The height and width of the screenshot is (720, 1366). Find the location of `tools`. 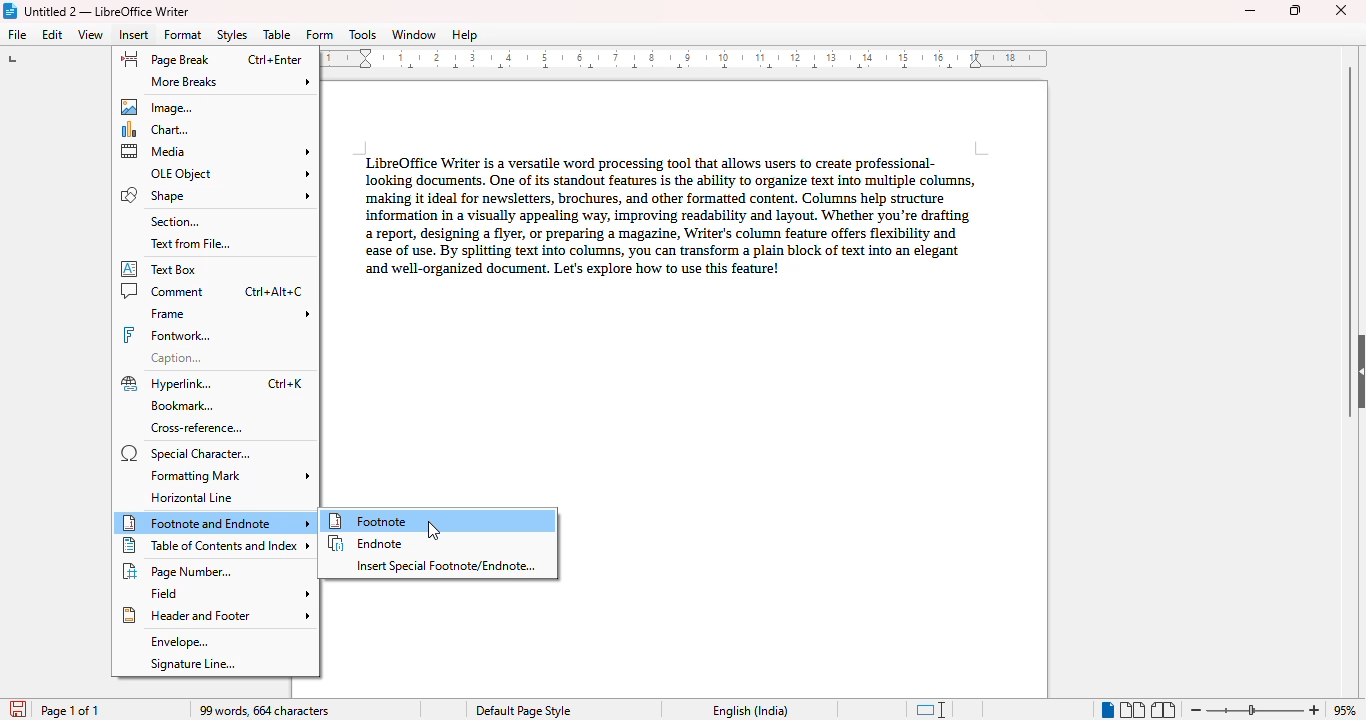

tools is located at coordinates (363, 35).